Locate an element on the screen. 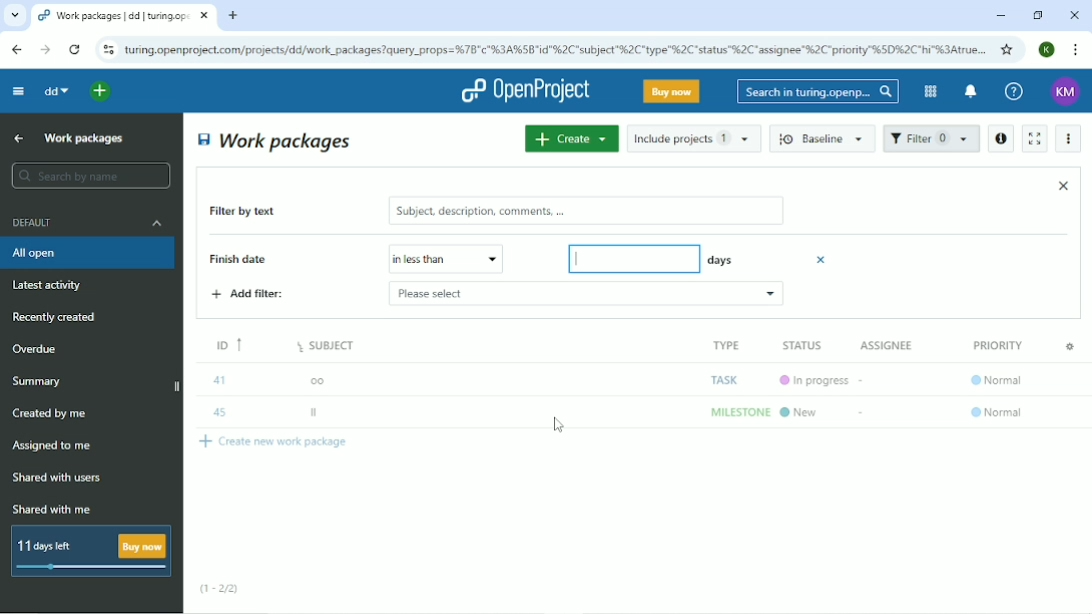 This screenshot has height=614, width=1092. Filter 1 is located at coordinates (931, 140).